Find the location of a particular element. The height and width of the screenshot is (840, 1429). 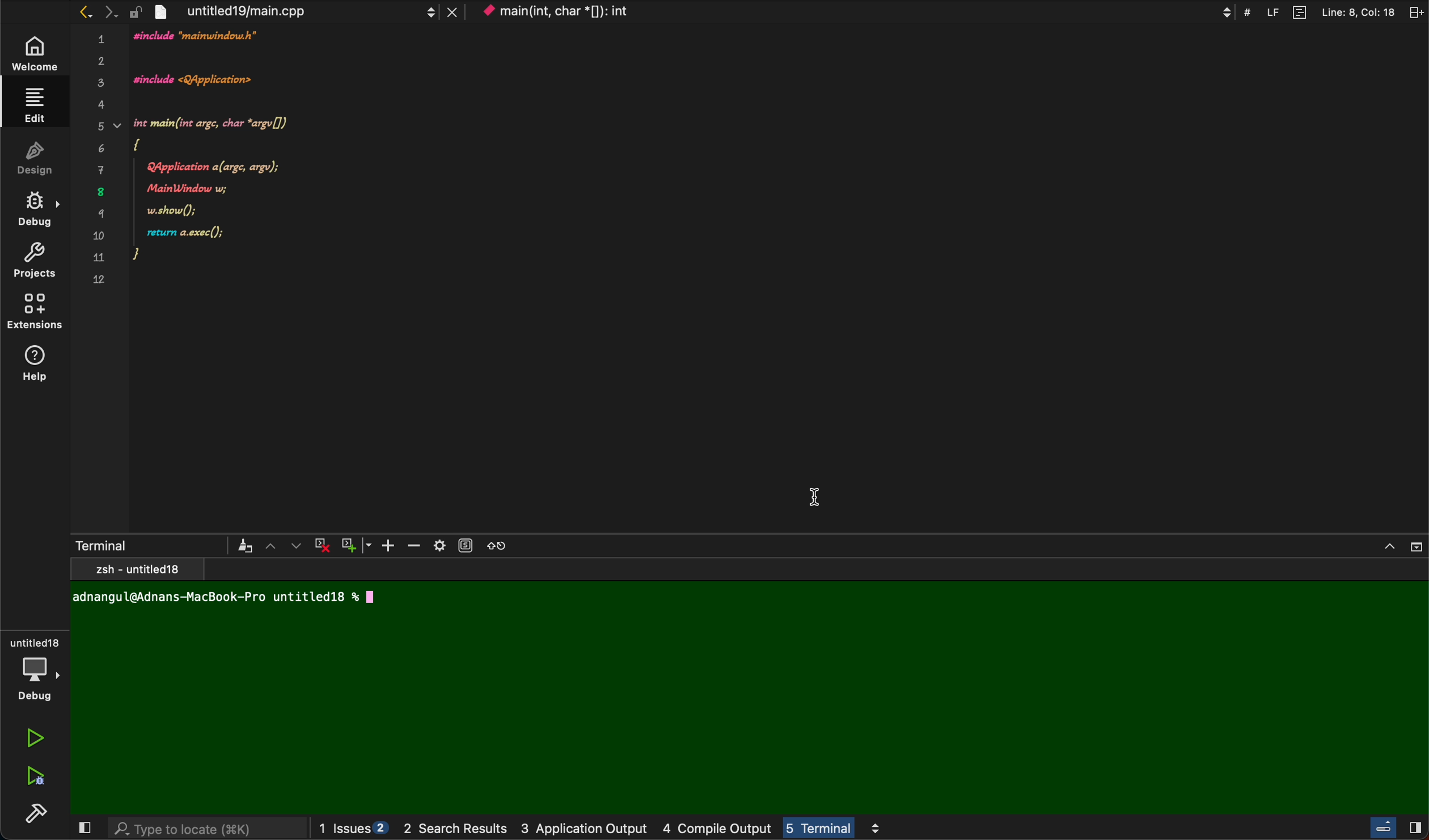

design is located at coordinates (35, 156).